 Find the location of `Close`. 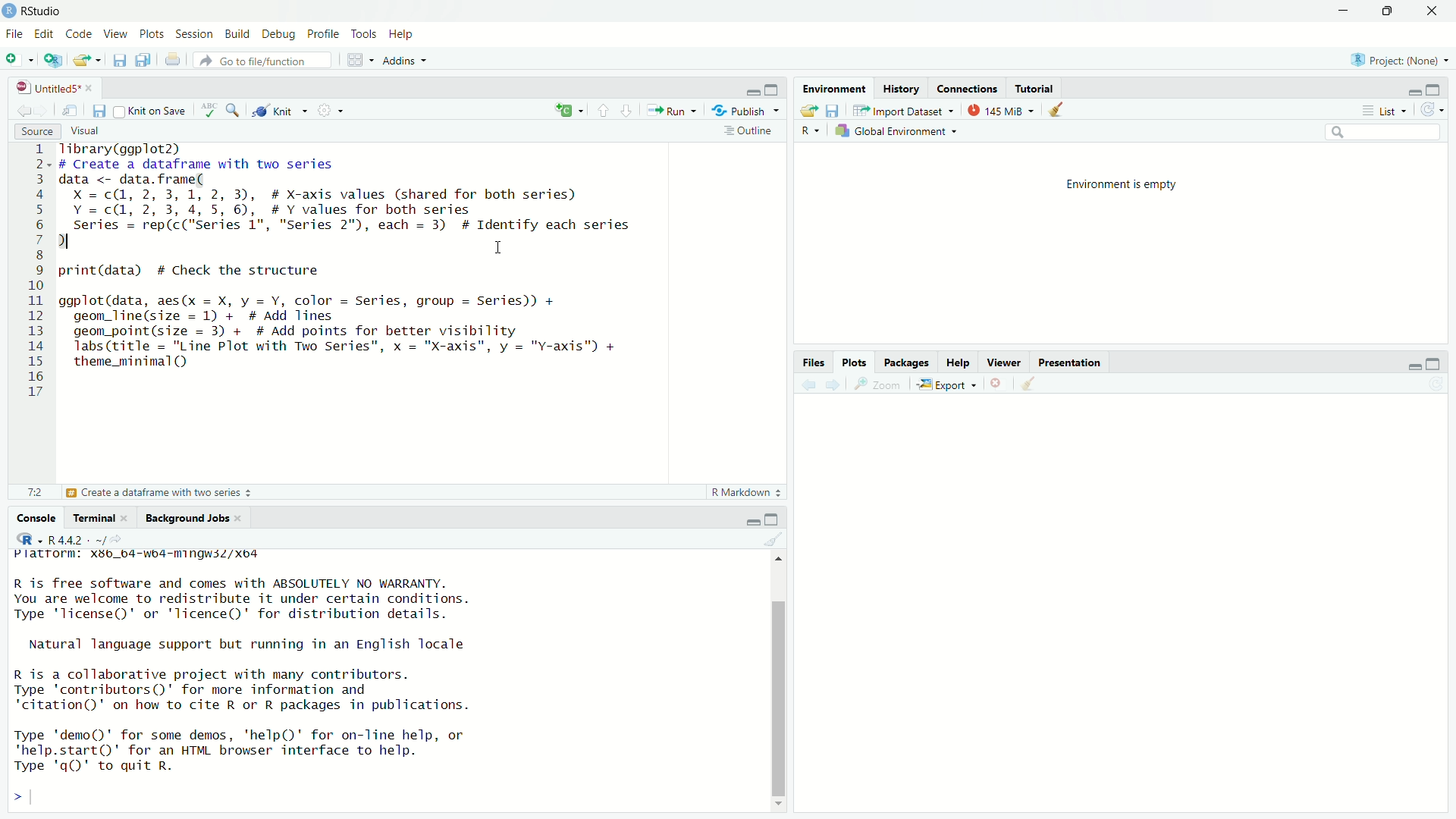

Close is located at coordinates (1429, 14).